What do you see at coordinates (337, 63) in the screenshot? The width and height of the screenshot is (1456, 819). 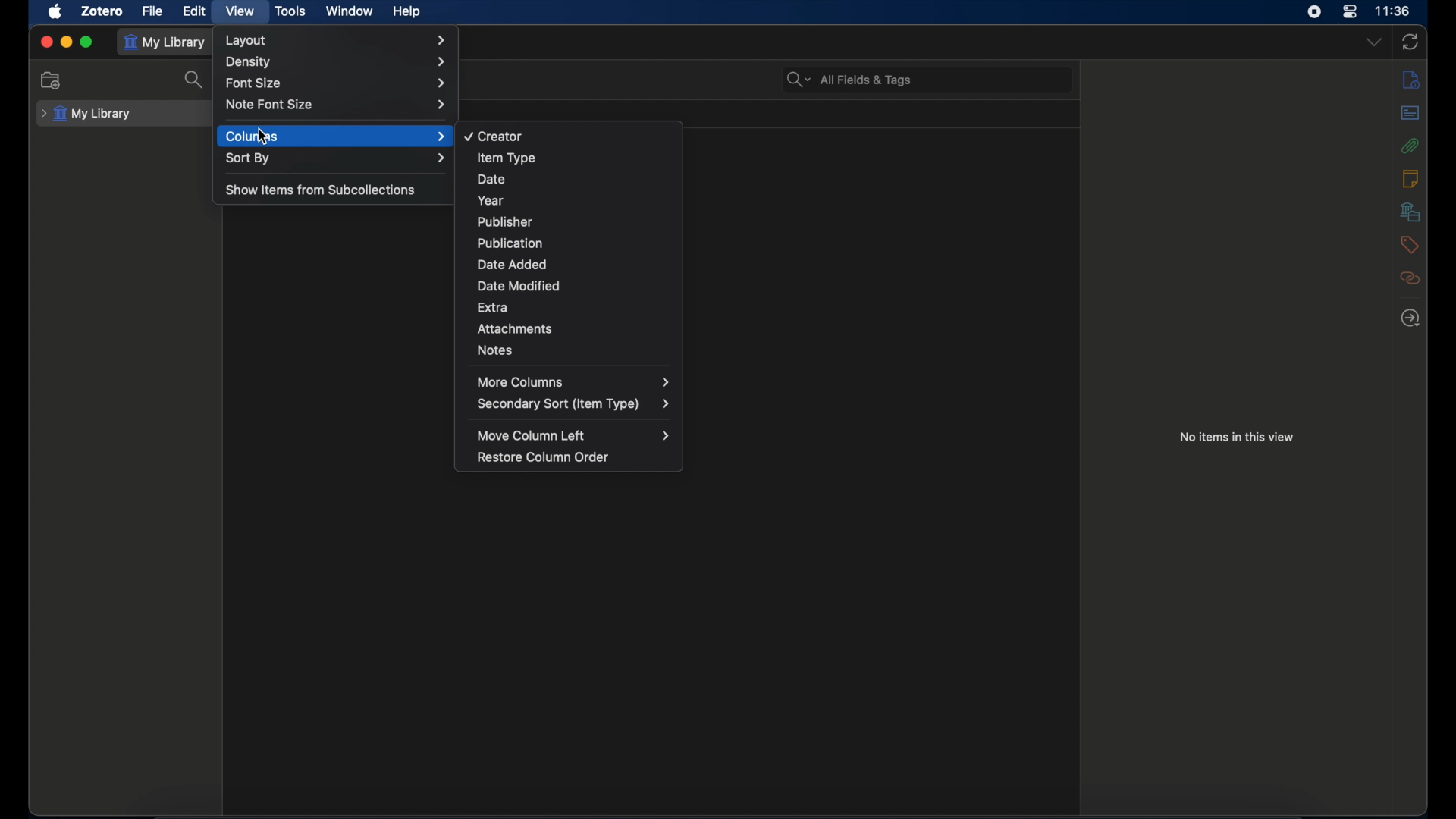 I see `` at bounding box center [337, 63].